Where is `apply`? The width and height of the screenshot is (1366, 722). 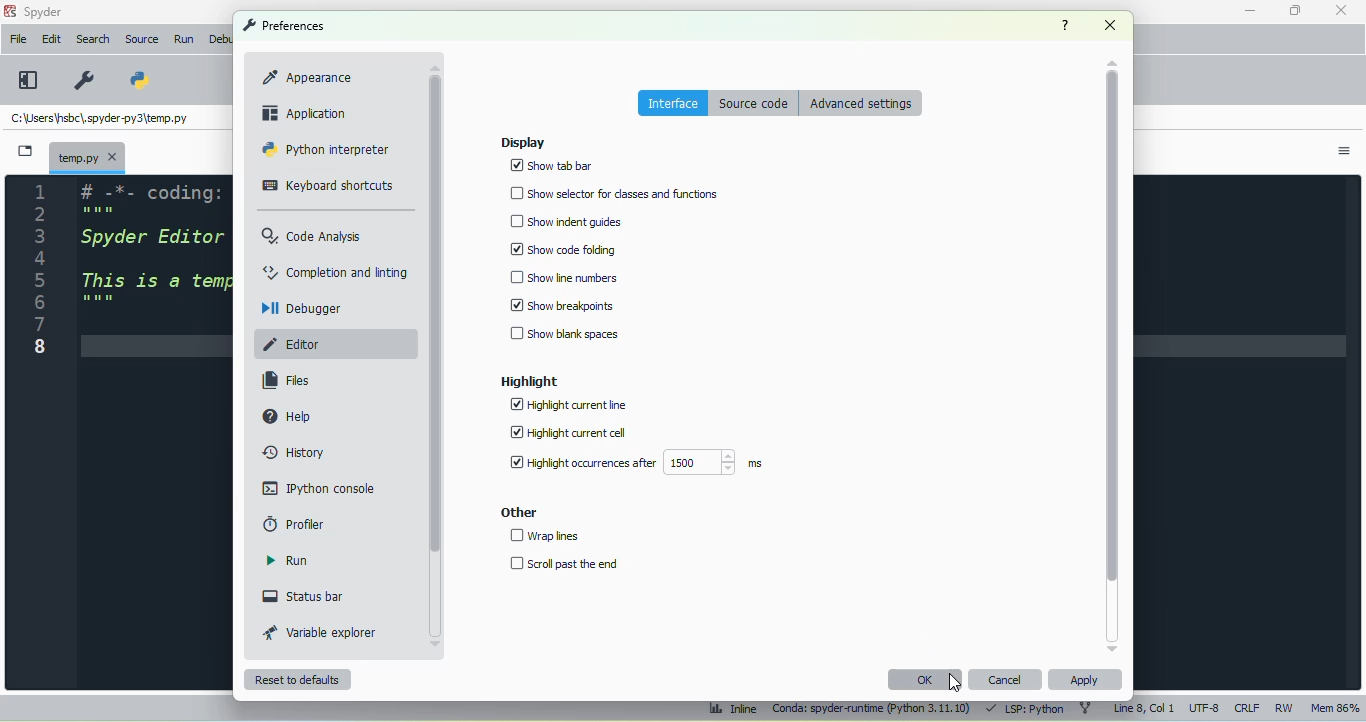
apply is located at coordinates (1084, 680).